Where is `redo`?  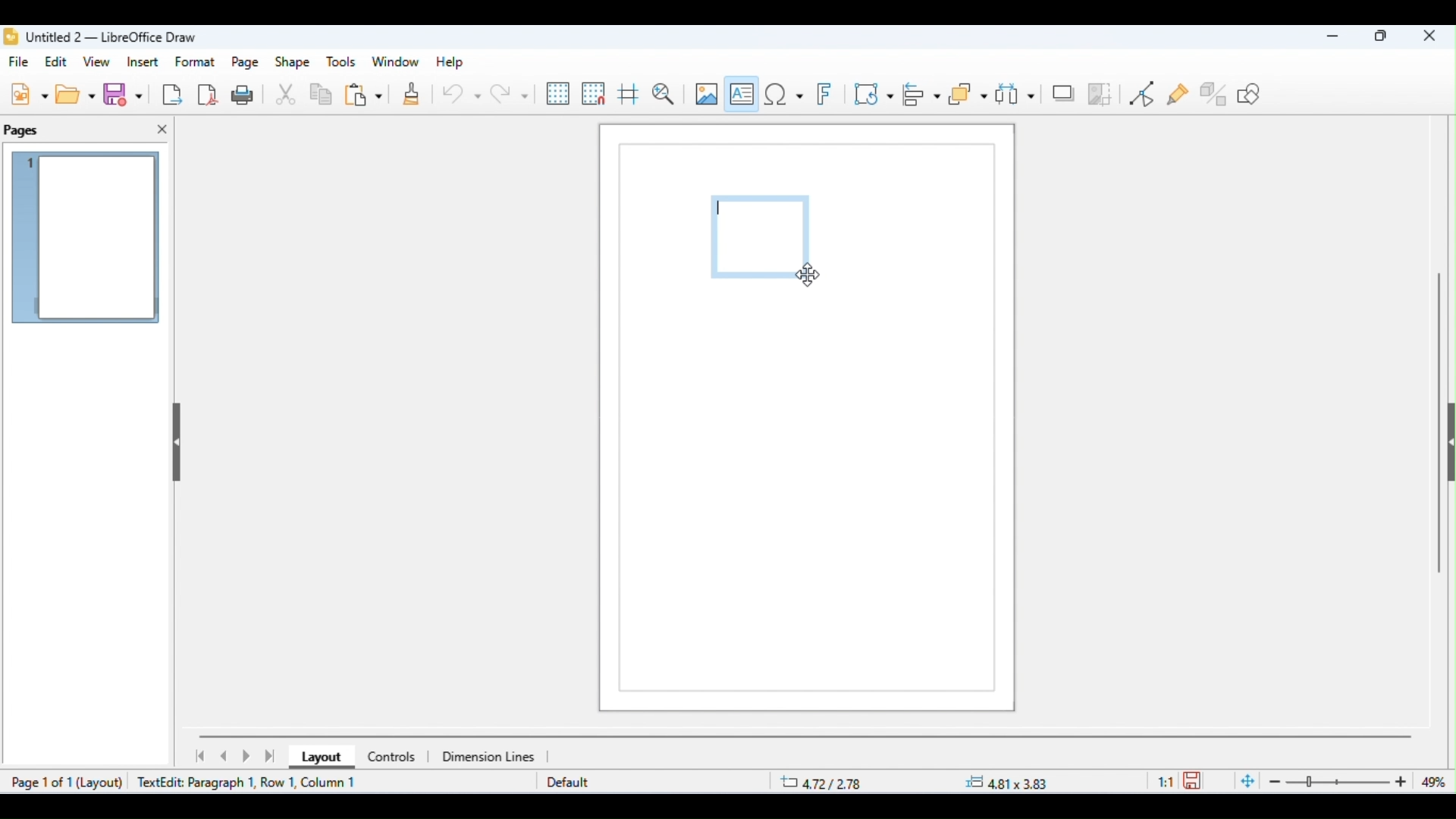 redo is located at coordinates (509, 93).